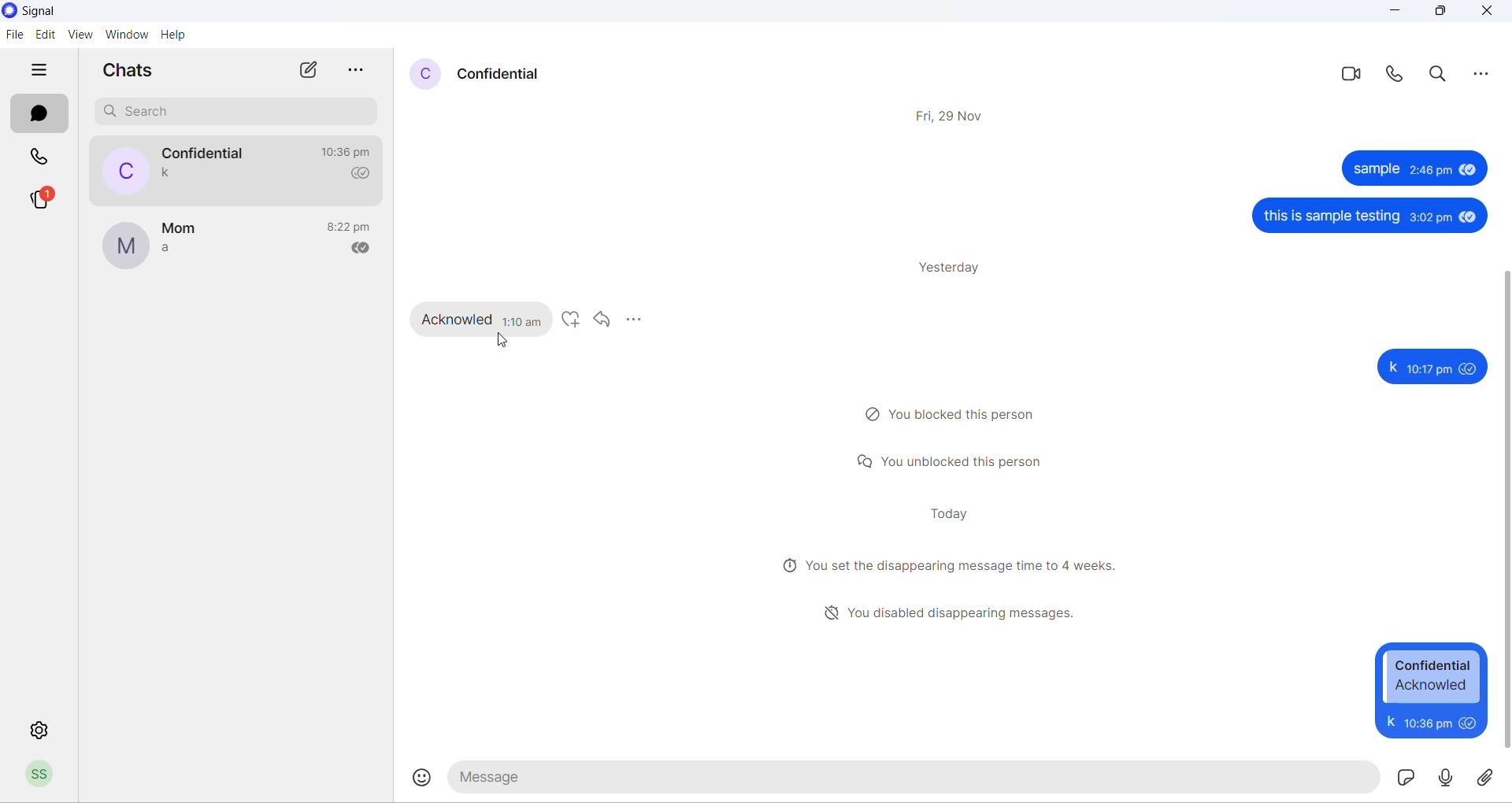 The width and height of the screenshot is (1512, 803). Describe the element at coordinates (502, 73) in the screenshot. I see `contact name` at that location.